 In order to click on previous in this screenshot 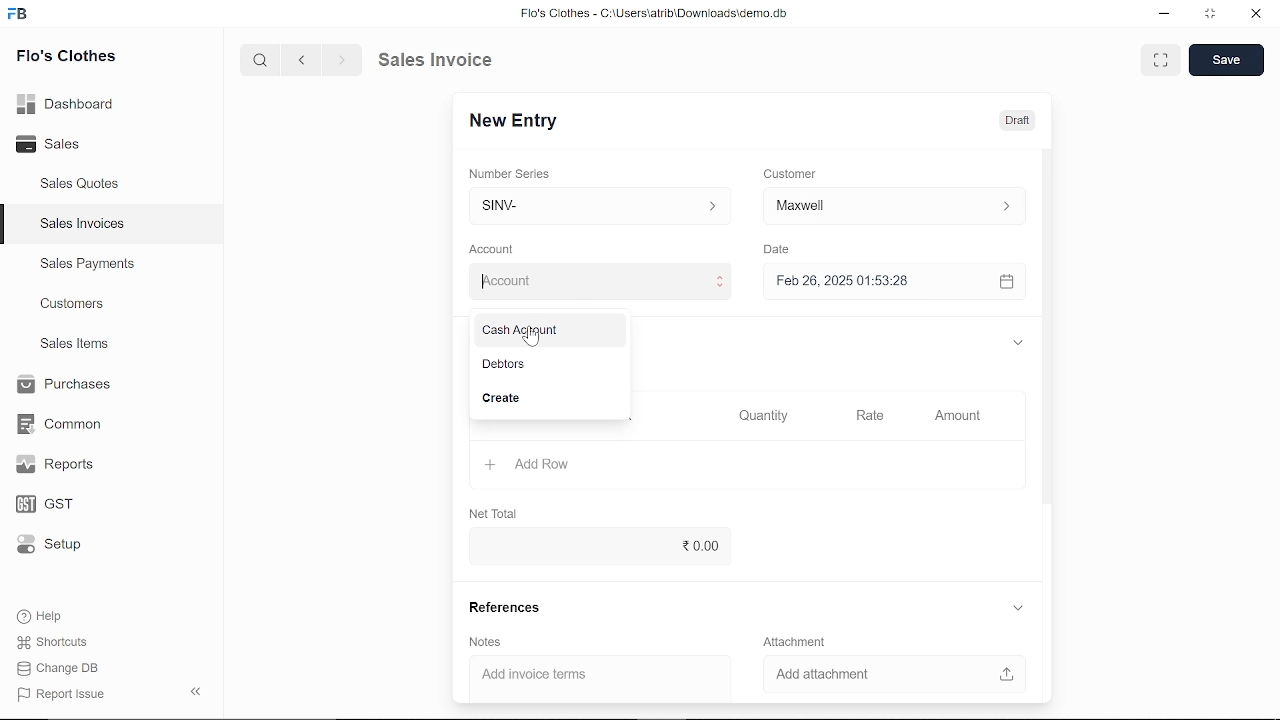, I will do `click(302, 59)`.